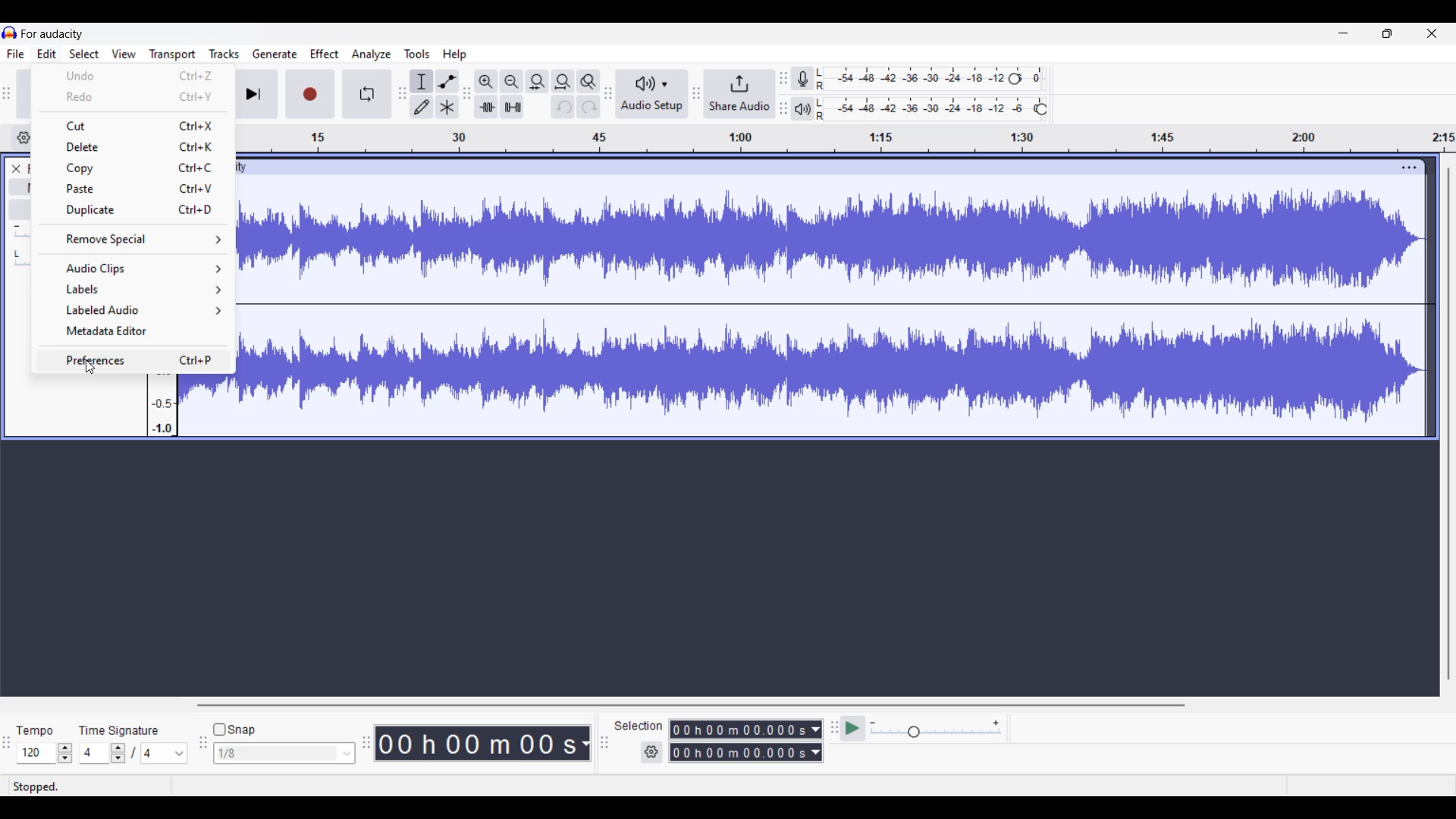 This screenshot has width=1456, height=819. Describe the element at coordinates (1432, 33) in the screenshot. I see `Close interface` at that location.